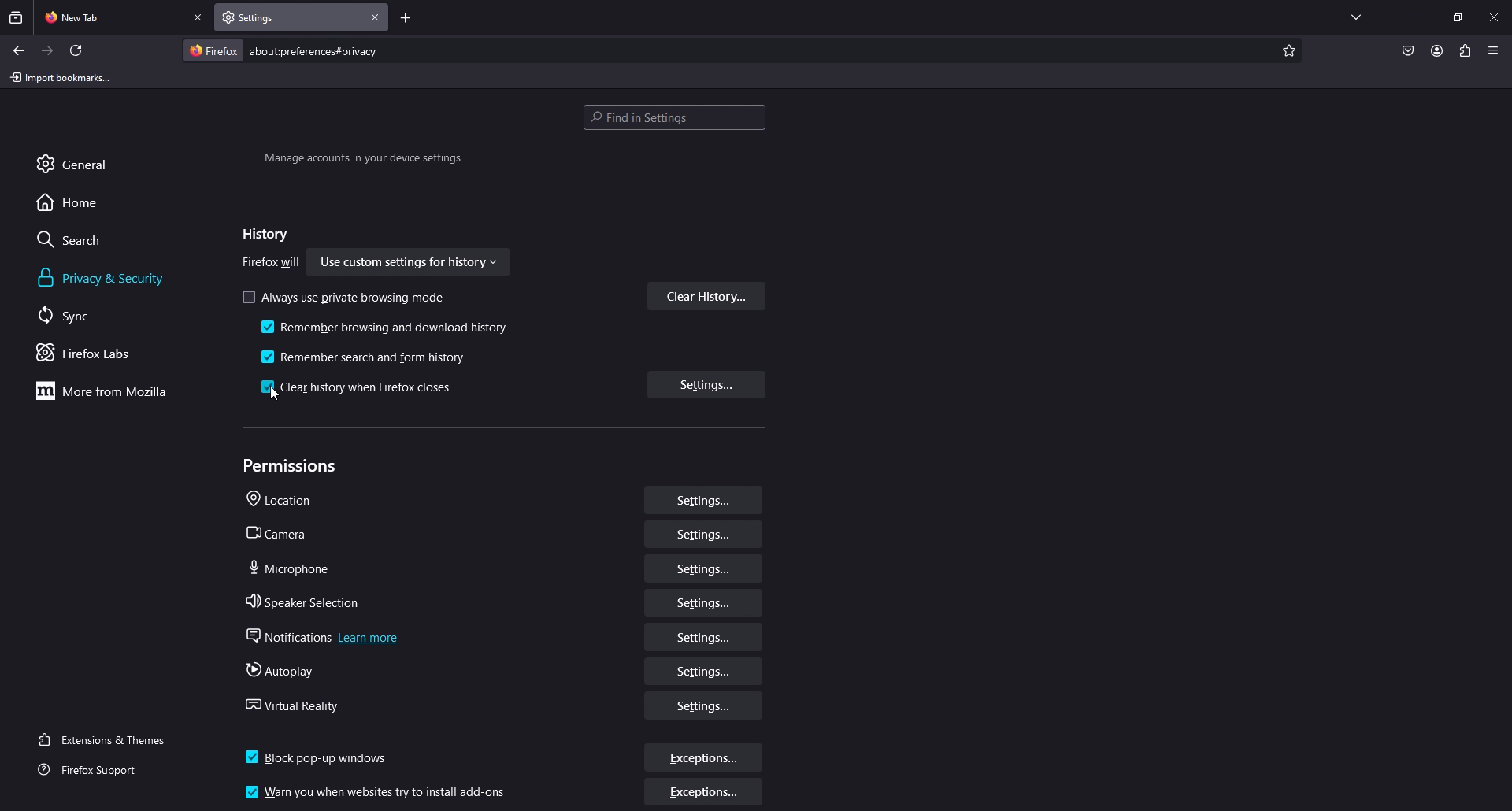  What do you see at coordinates (272, 264) in the screenshot?
I see `firefox will ` at bounding box center [272, 264].